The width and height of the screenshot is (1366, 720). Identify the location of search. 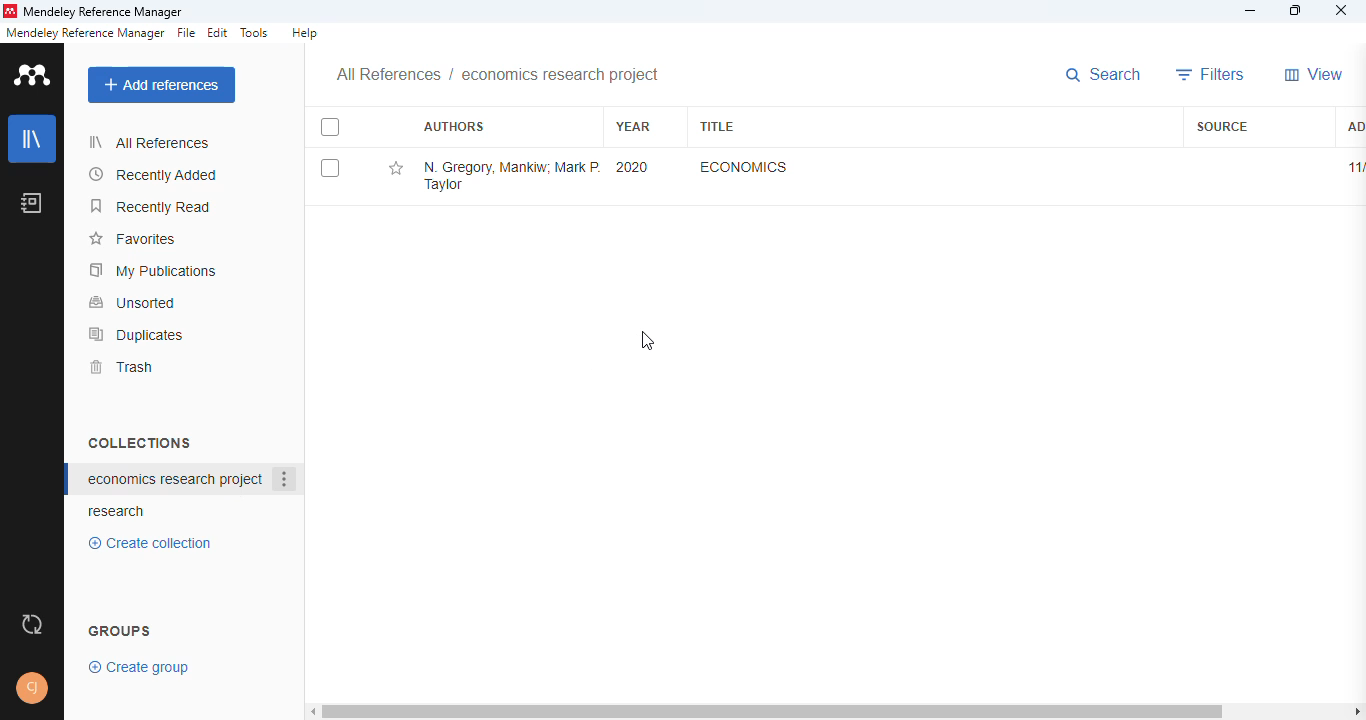
(1103, 74).